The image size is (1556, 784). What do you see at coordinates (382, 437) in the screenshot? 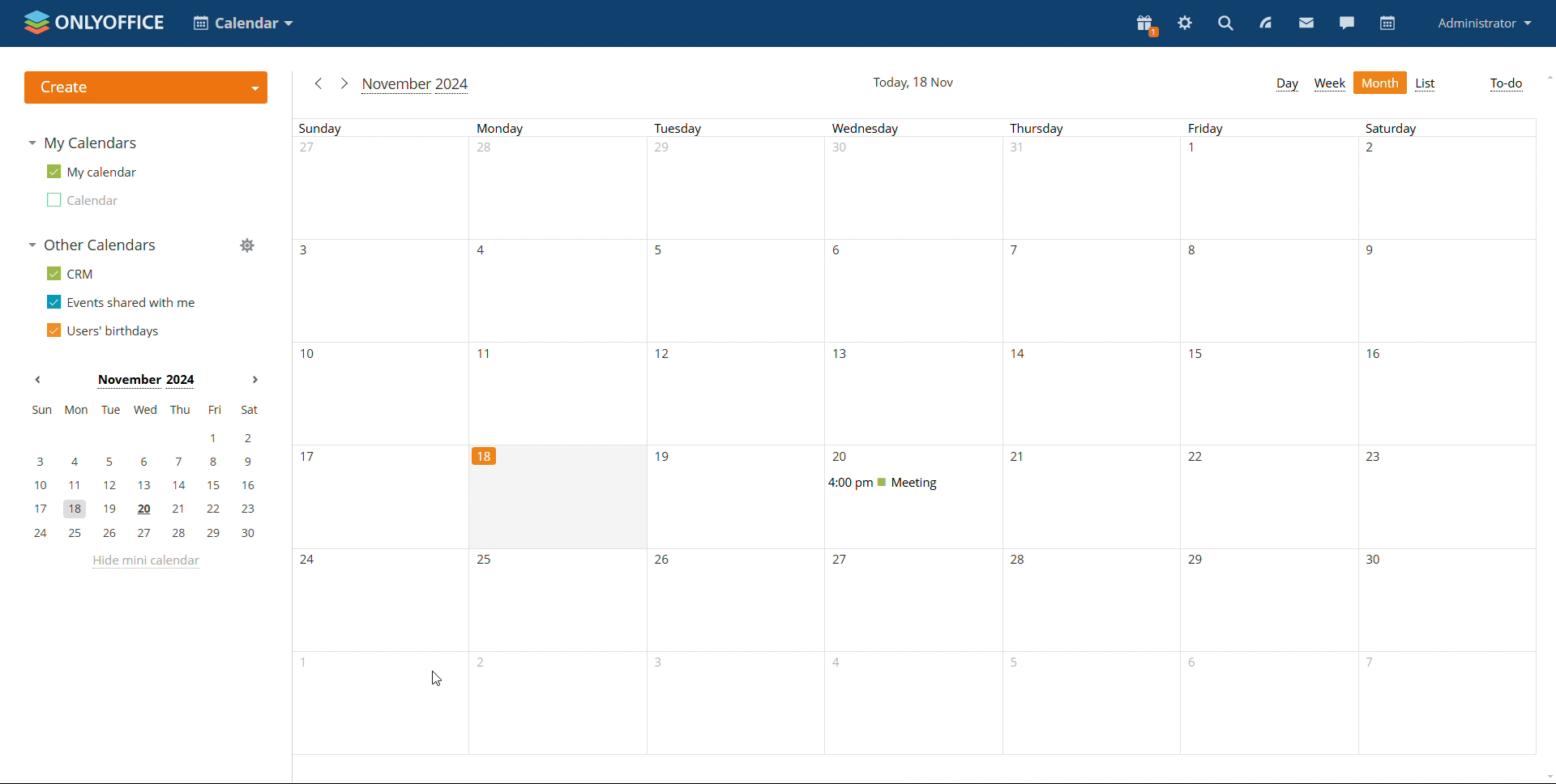
I see `Sunday` at bounding box center [382, 437].